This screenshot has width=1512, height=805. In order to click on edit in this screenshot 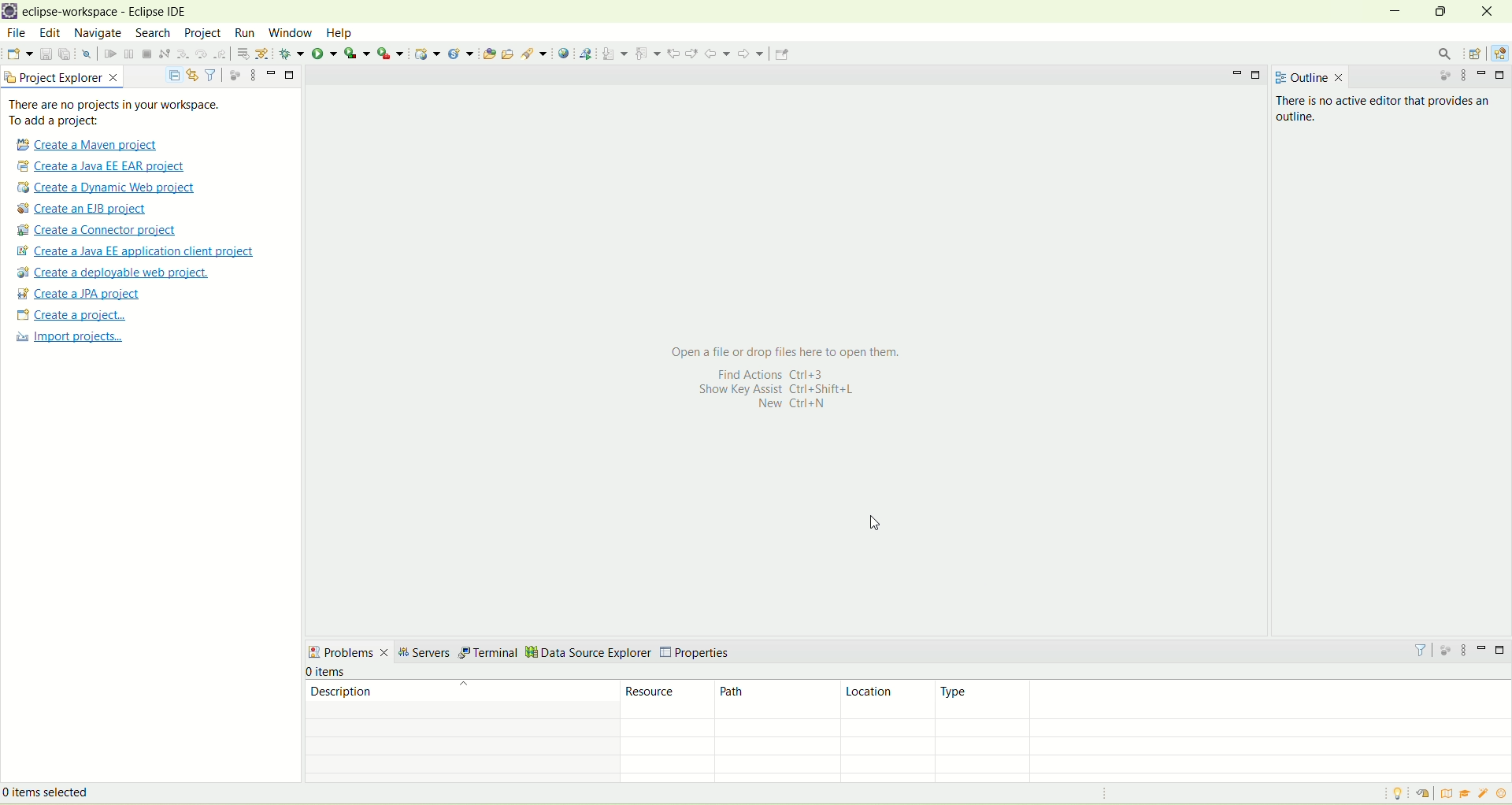, I will do `click(51, 35)`.